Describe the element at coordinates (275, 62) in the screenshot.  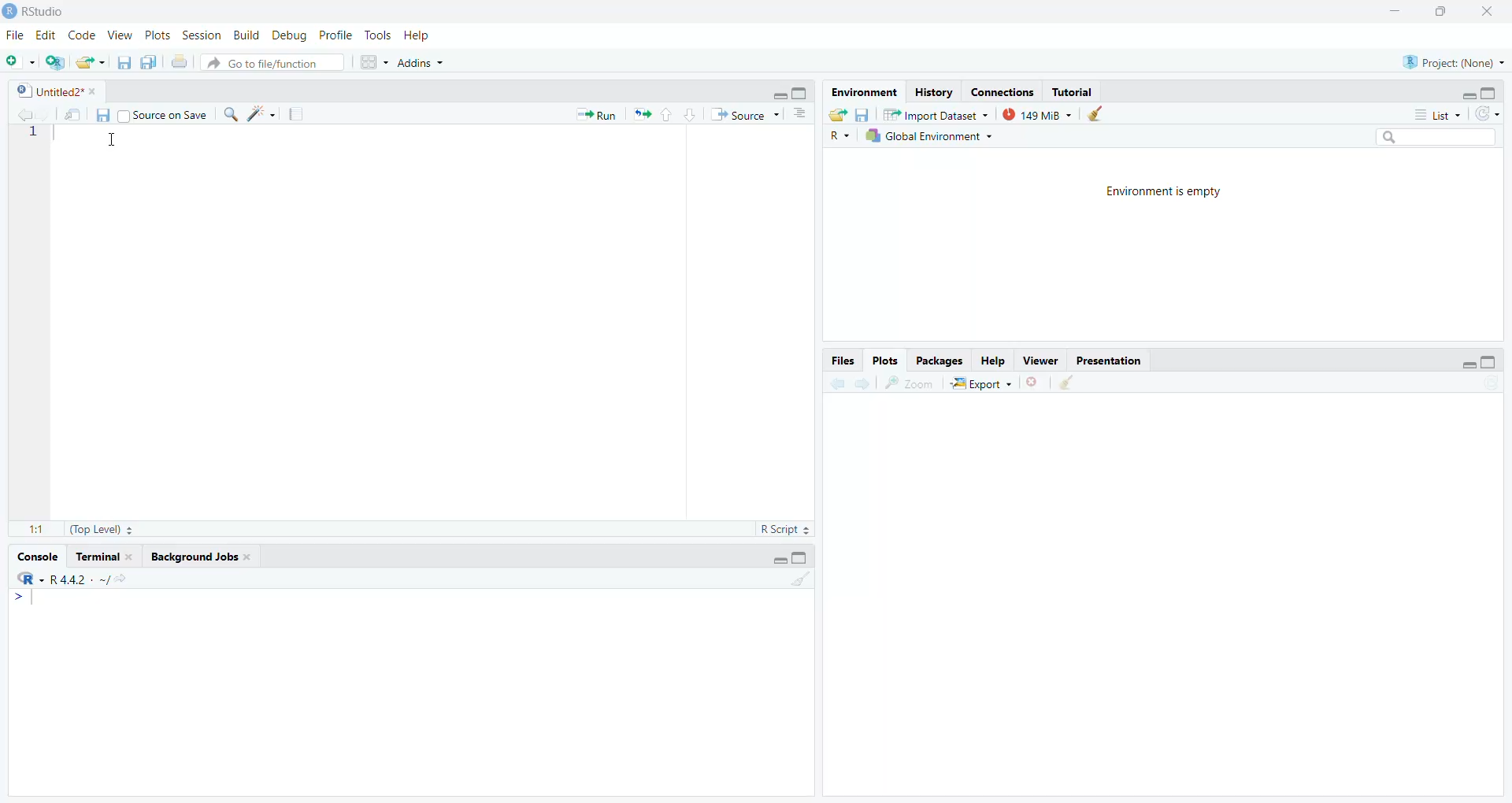
I see `Go to file/function A:` at that location.